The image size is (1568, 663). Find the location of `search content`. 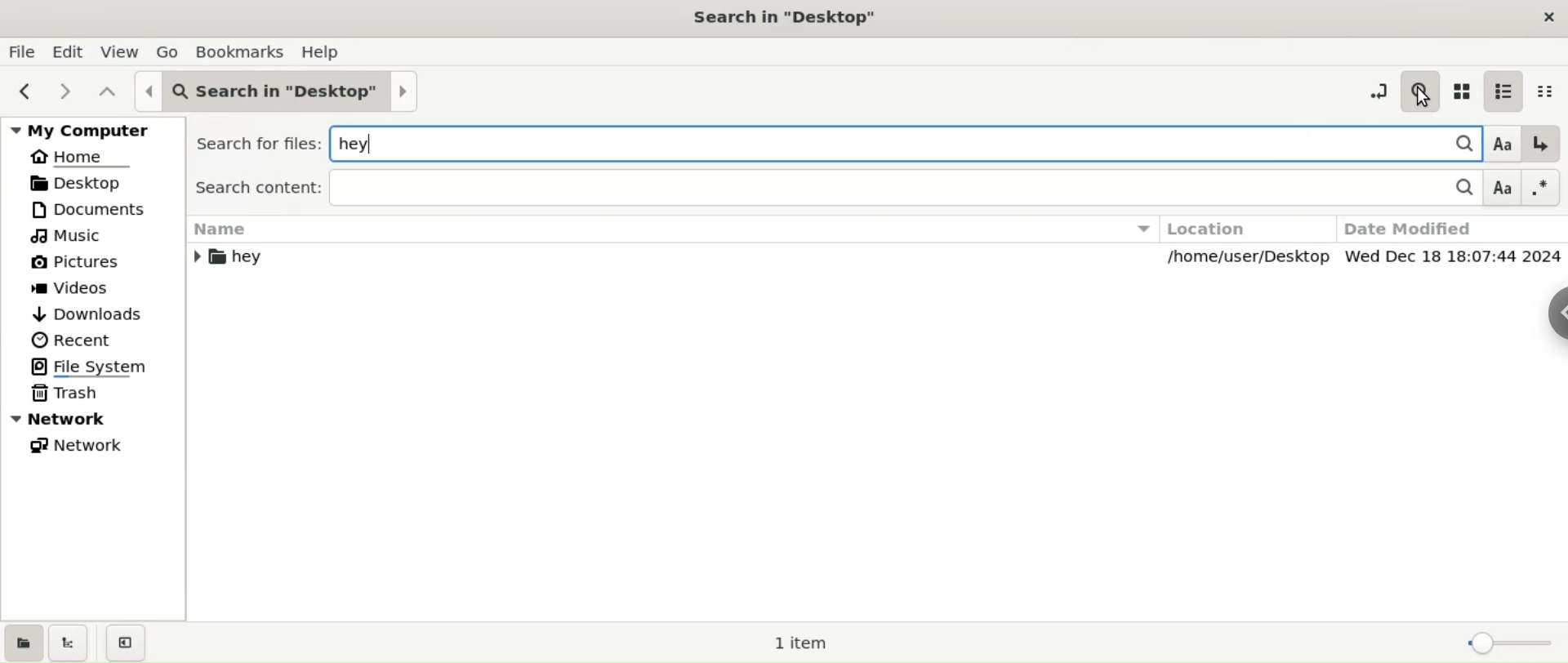

search content is located at coordinates (871, 187).